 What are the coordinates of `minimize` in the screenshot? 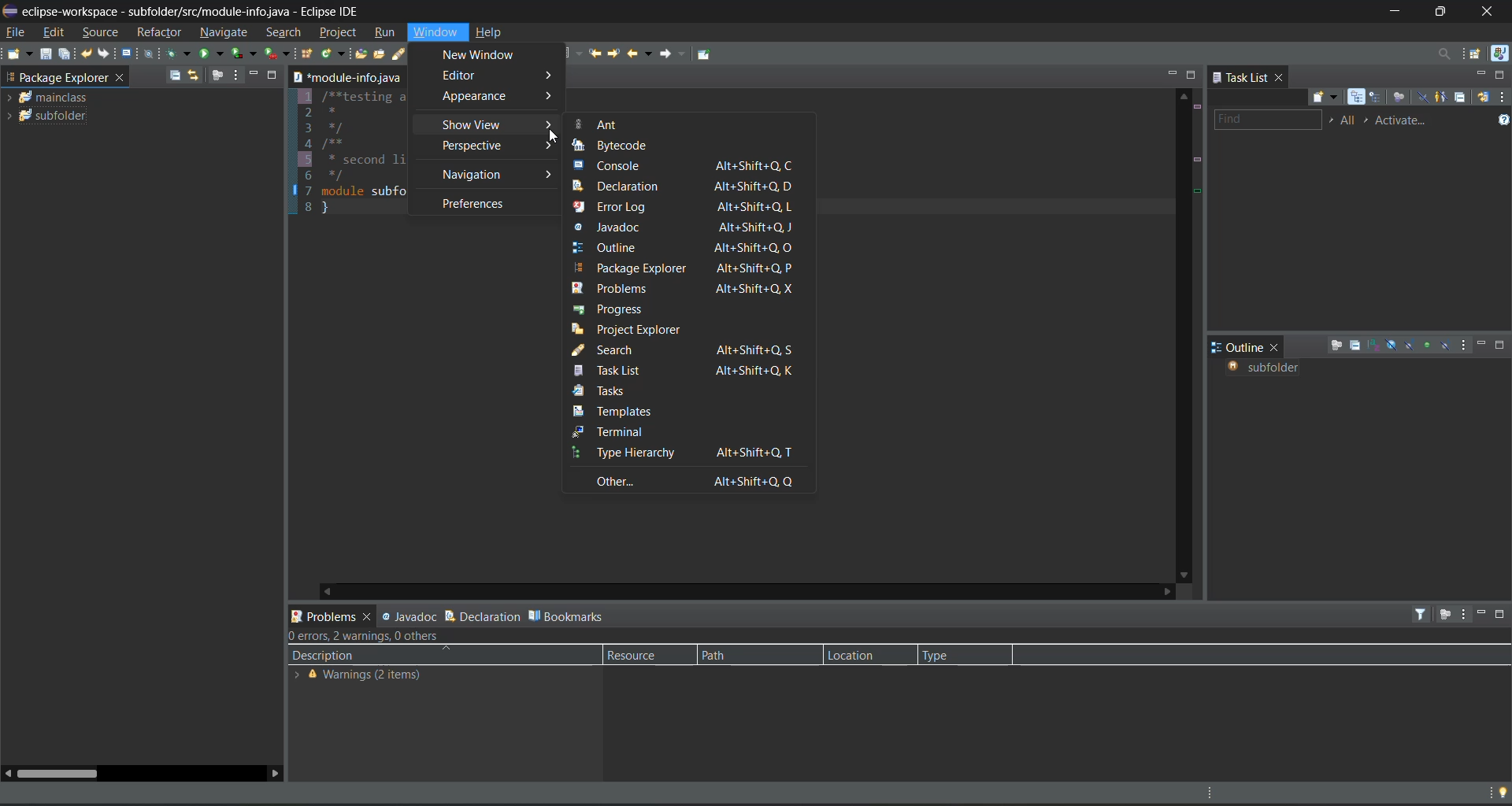 It's located at (1172, 74).